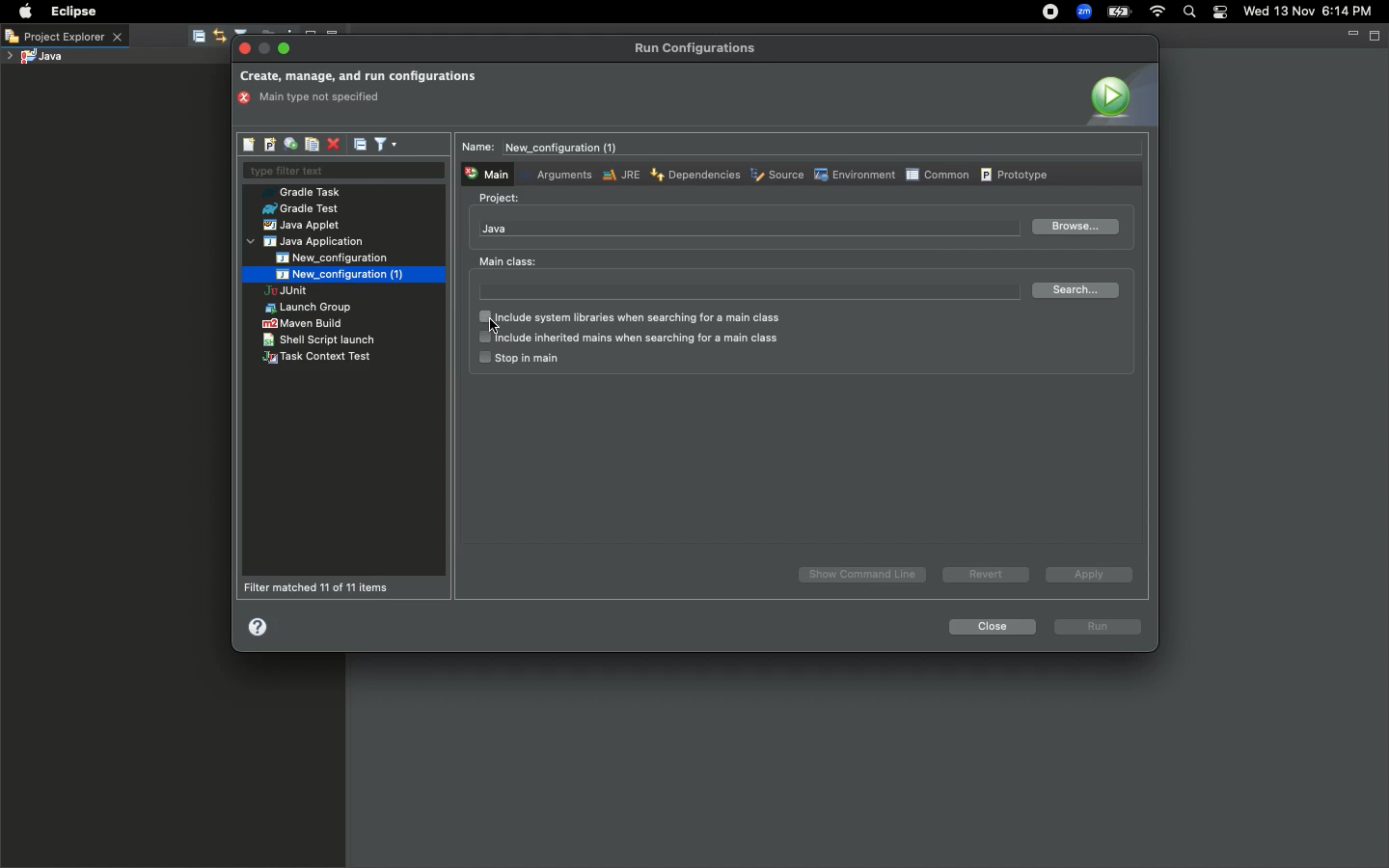  Describe the element at coordinates (34, 58) in the screenshot. I see `Java project` at that location.